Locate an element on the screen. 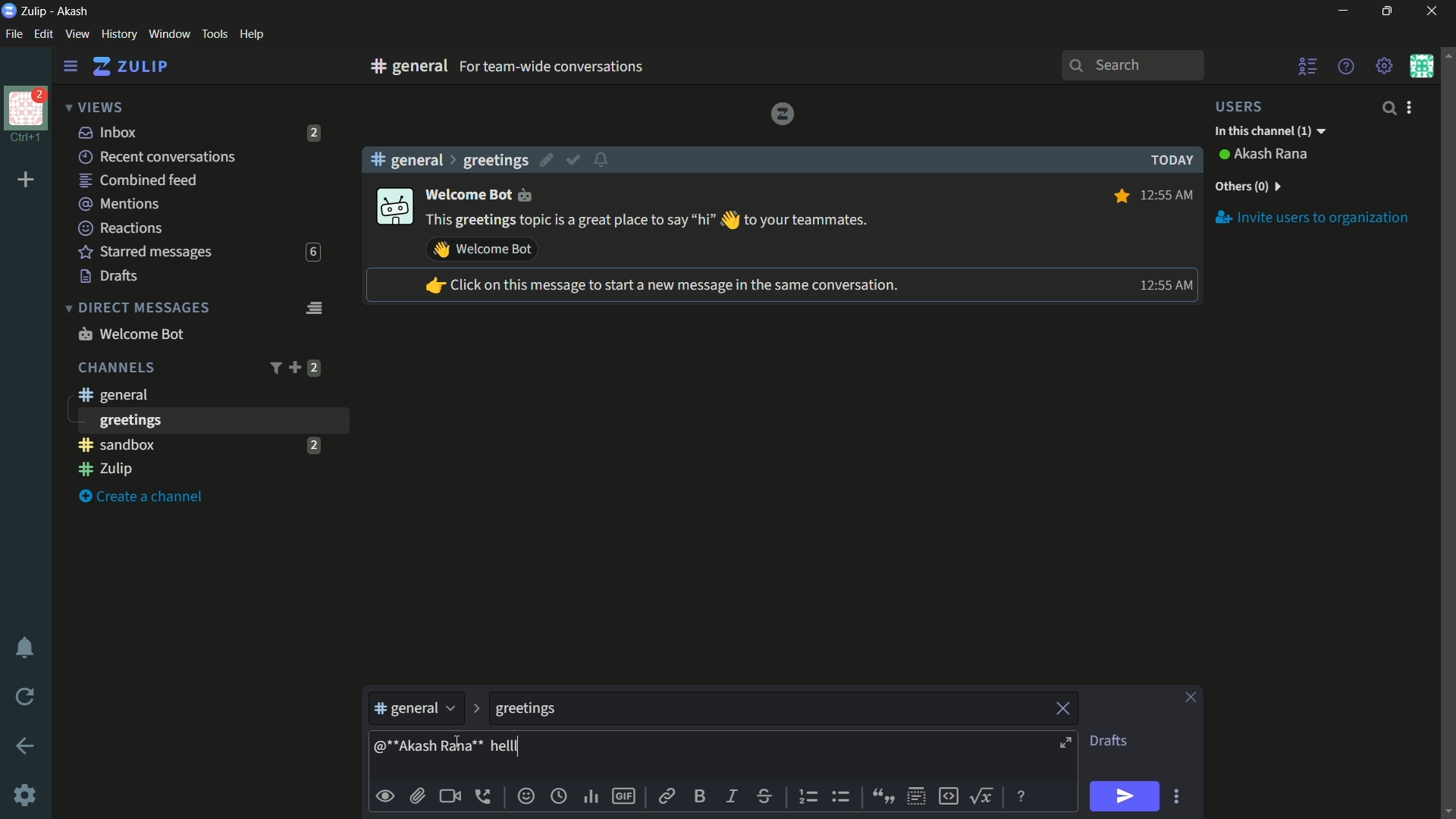 The width and height of the screenshot is (1456, 819). add organization is located at coordinates (27, 180).